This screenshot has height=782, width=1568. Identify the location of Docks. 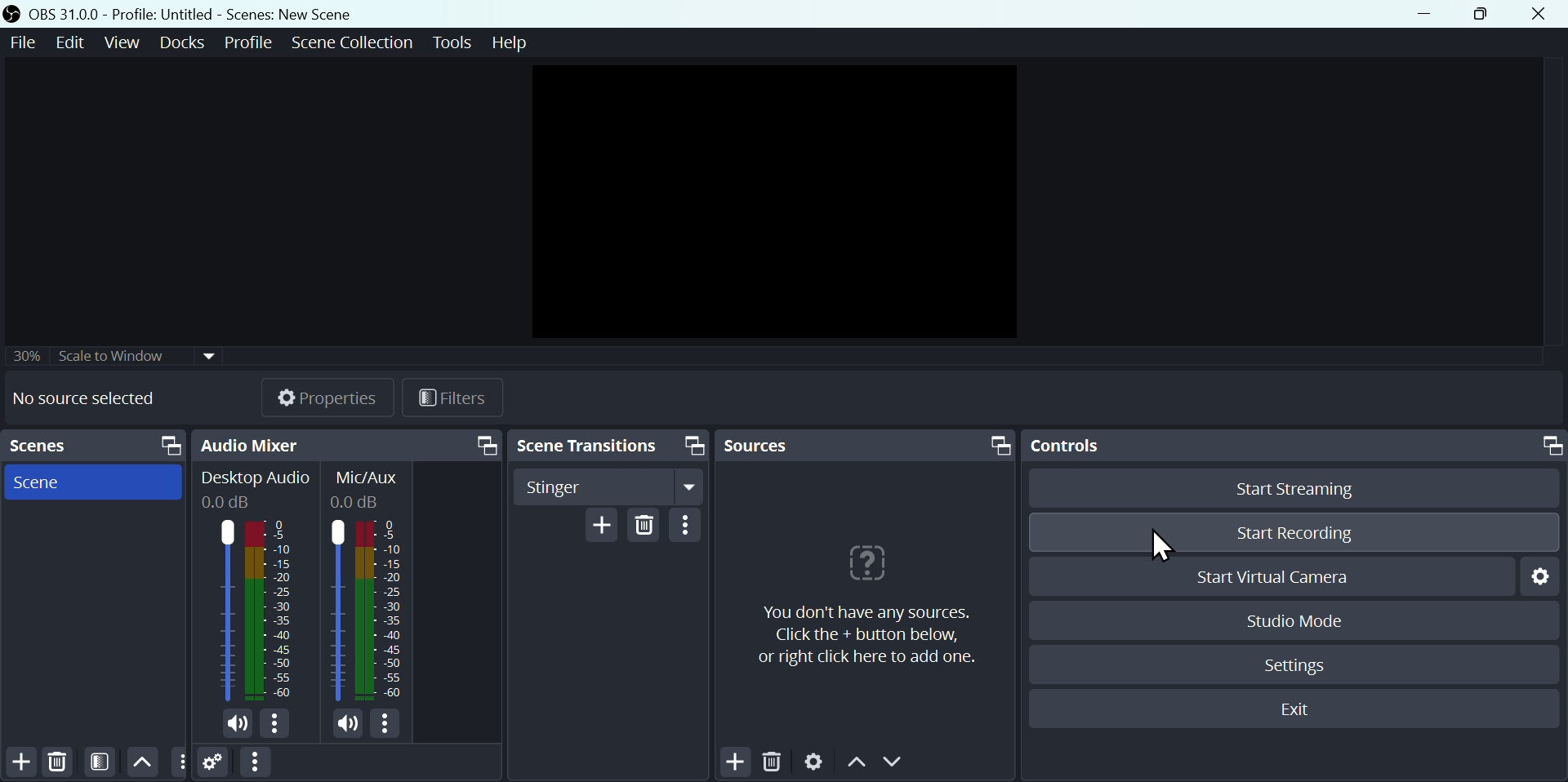
(181, 42).